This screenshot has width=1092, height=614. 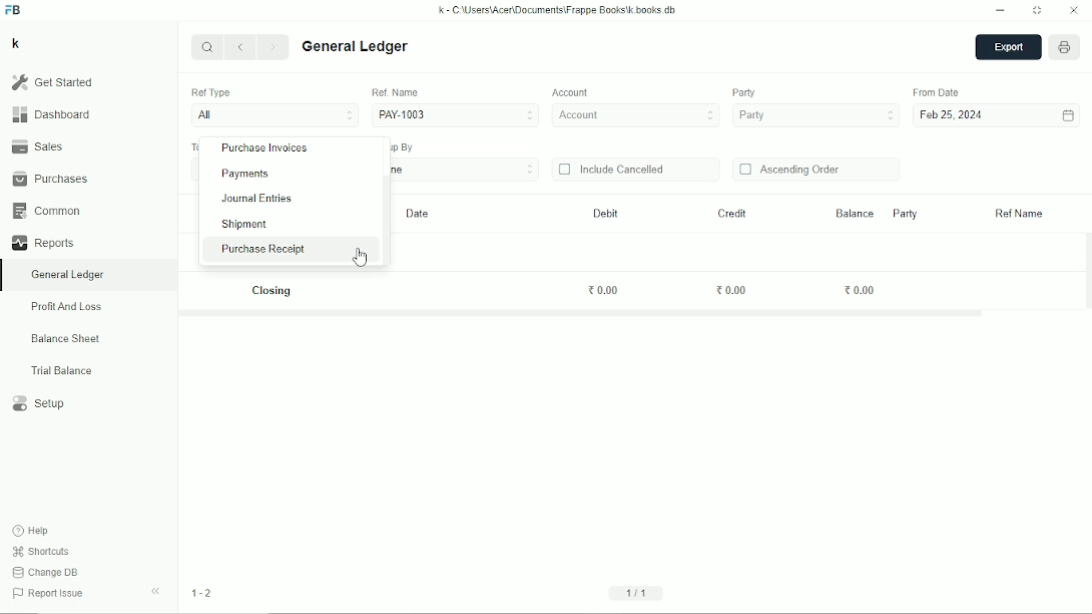 What do you see at coordinates (455, 114) in the screenshot?
I see `PAY-1003` at bounding box center [455, 114].